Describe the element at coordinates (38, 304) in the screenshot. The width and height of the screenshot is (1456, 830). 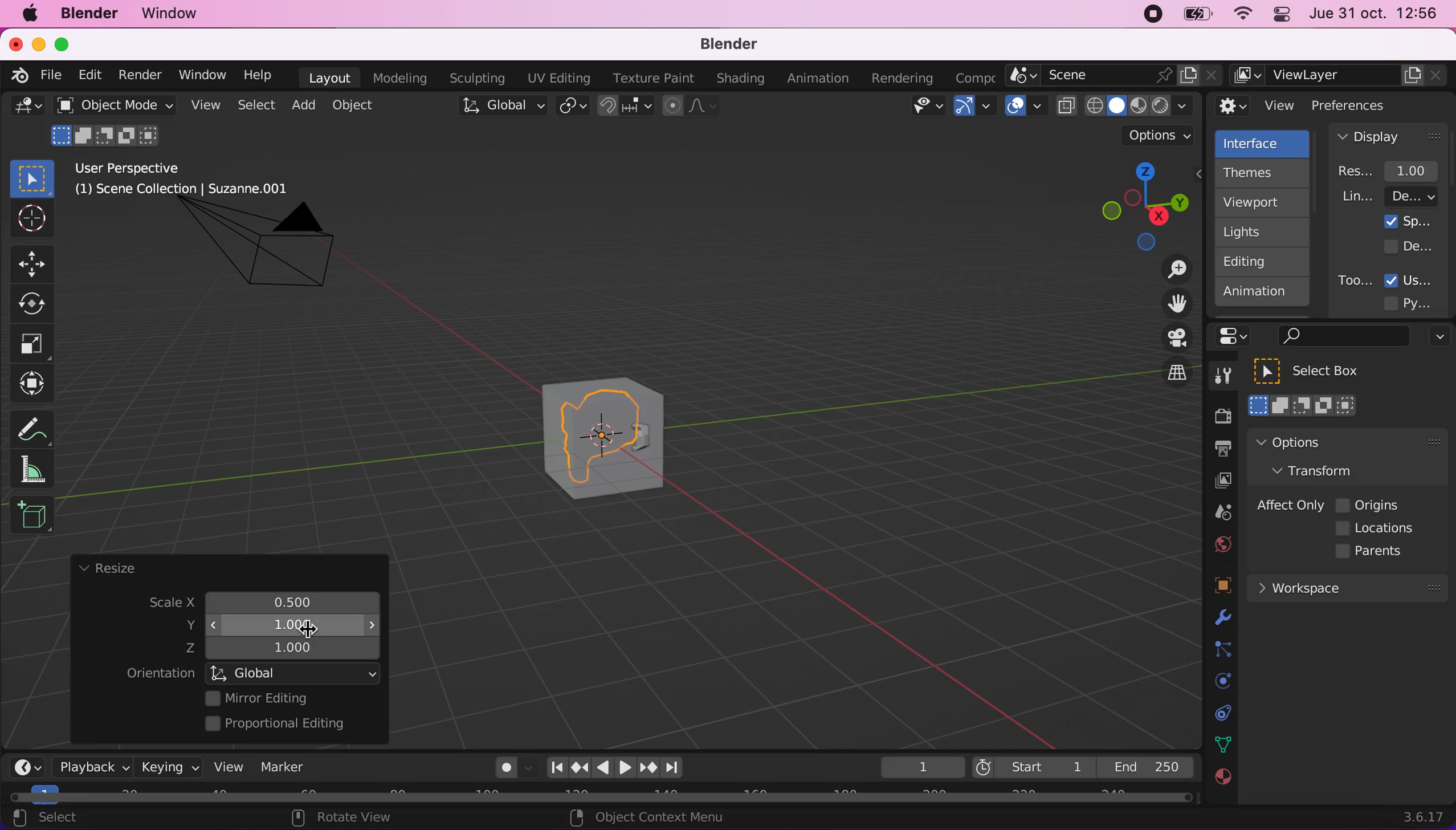
I see `` at that location.